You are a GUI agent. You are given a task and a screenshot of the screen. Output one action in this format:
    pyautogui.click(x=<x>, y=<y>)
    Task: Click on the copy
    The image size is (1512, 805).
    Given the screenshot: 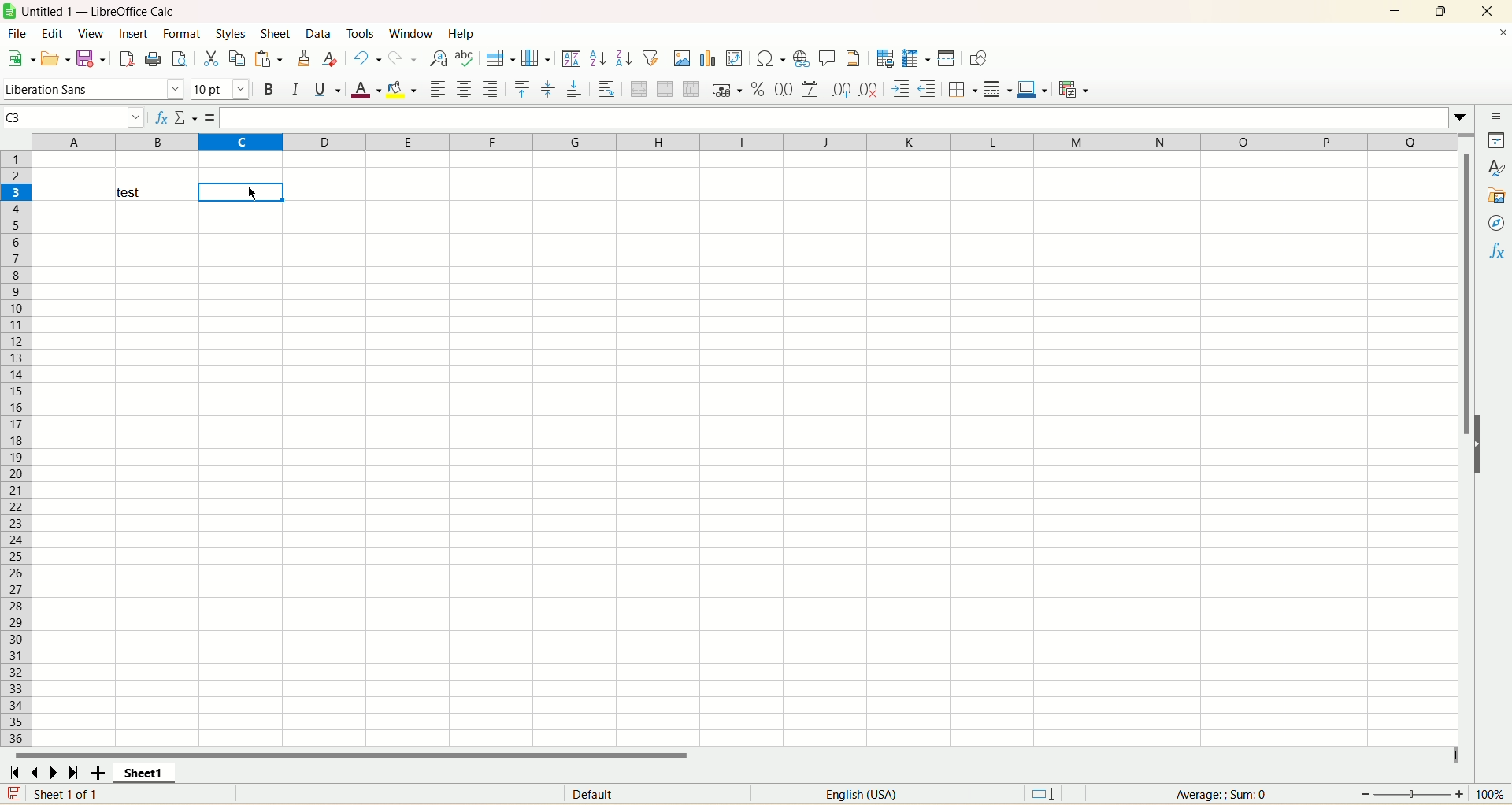 What is the action you would take?
    pyautogui.click(x=238, y=58)
    